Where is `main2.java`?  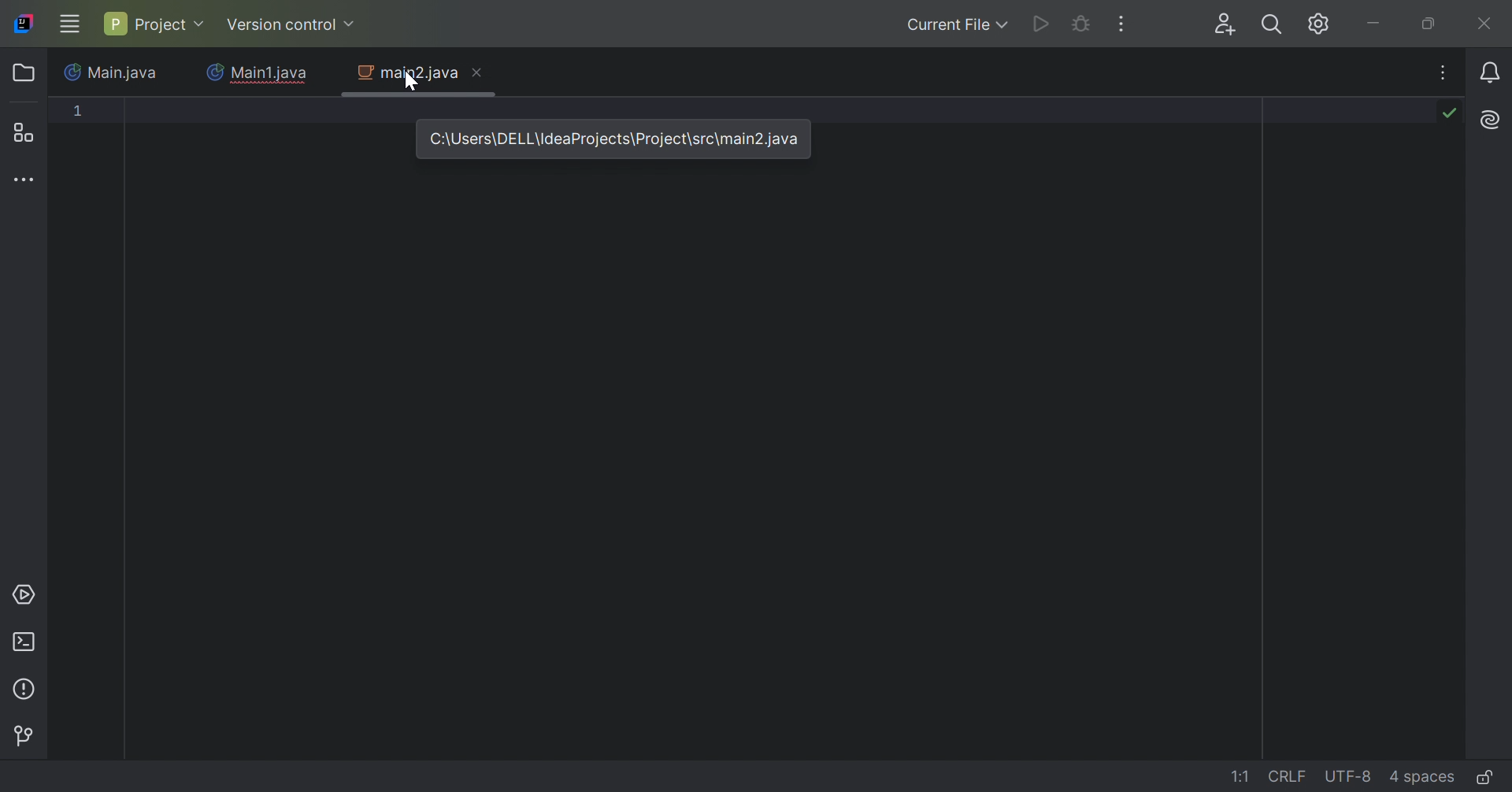
main2.java is located at coordinates (402, 73).